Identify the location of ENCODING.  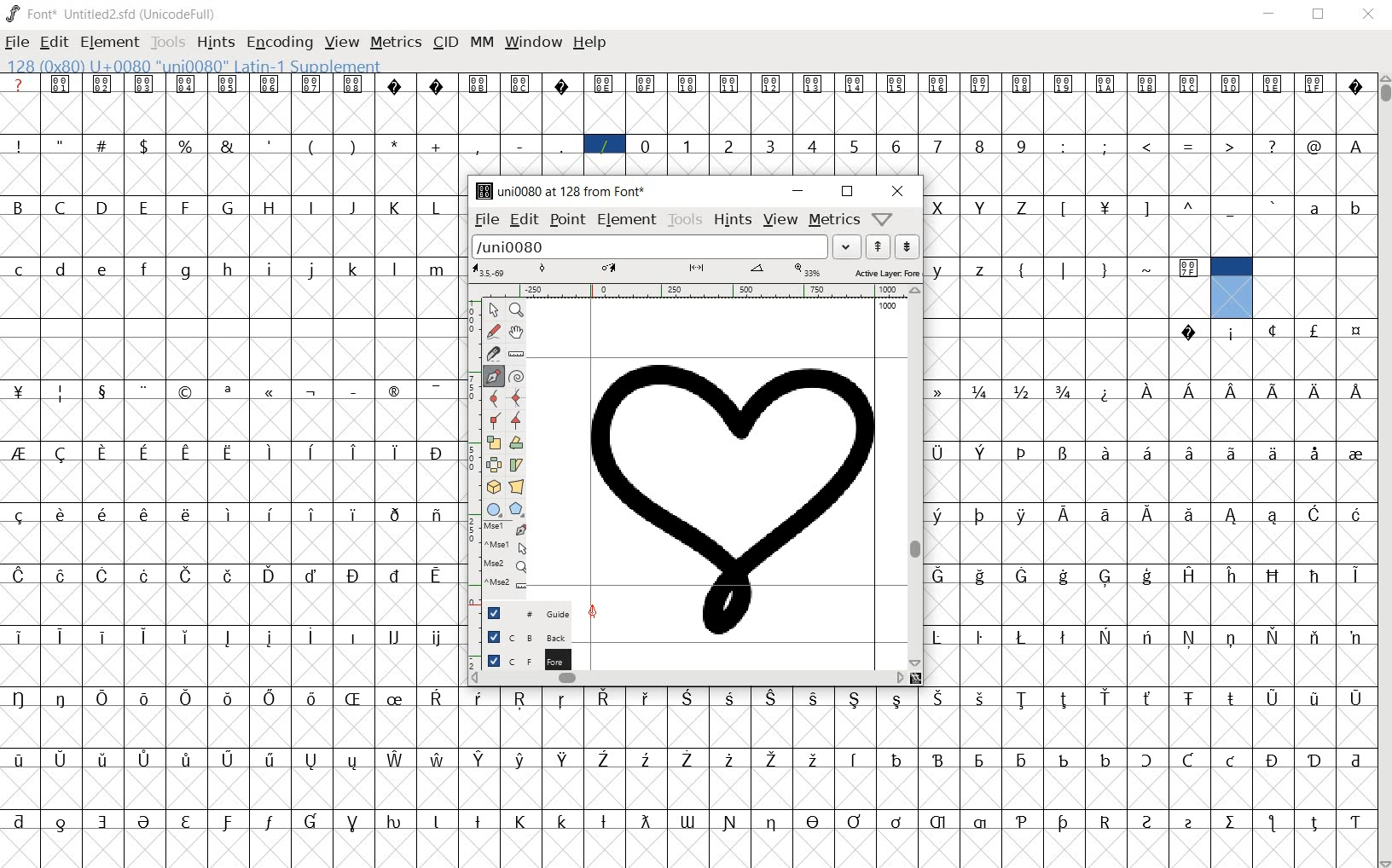
(278, 42).